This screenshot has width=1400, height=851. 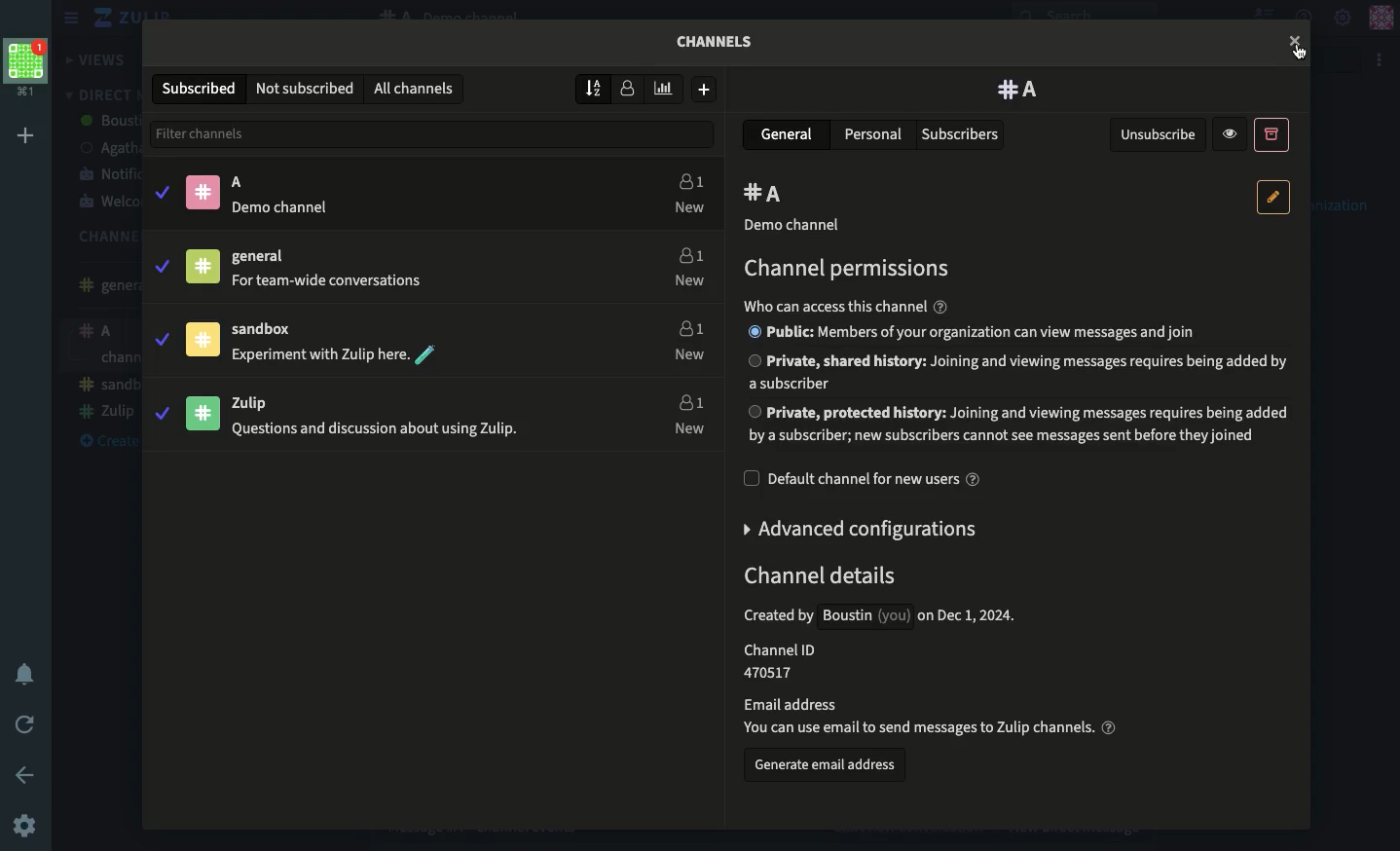 I want to click on Channel details, so click(x=918, y=650).